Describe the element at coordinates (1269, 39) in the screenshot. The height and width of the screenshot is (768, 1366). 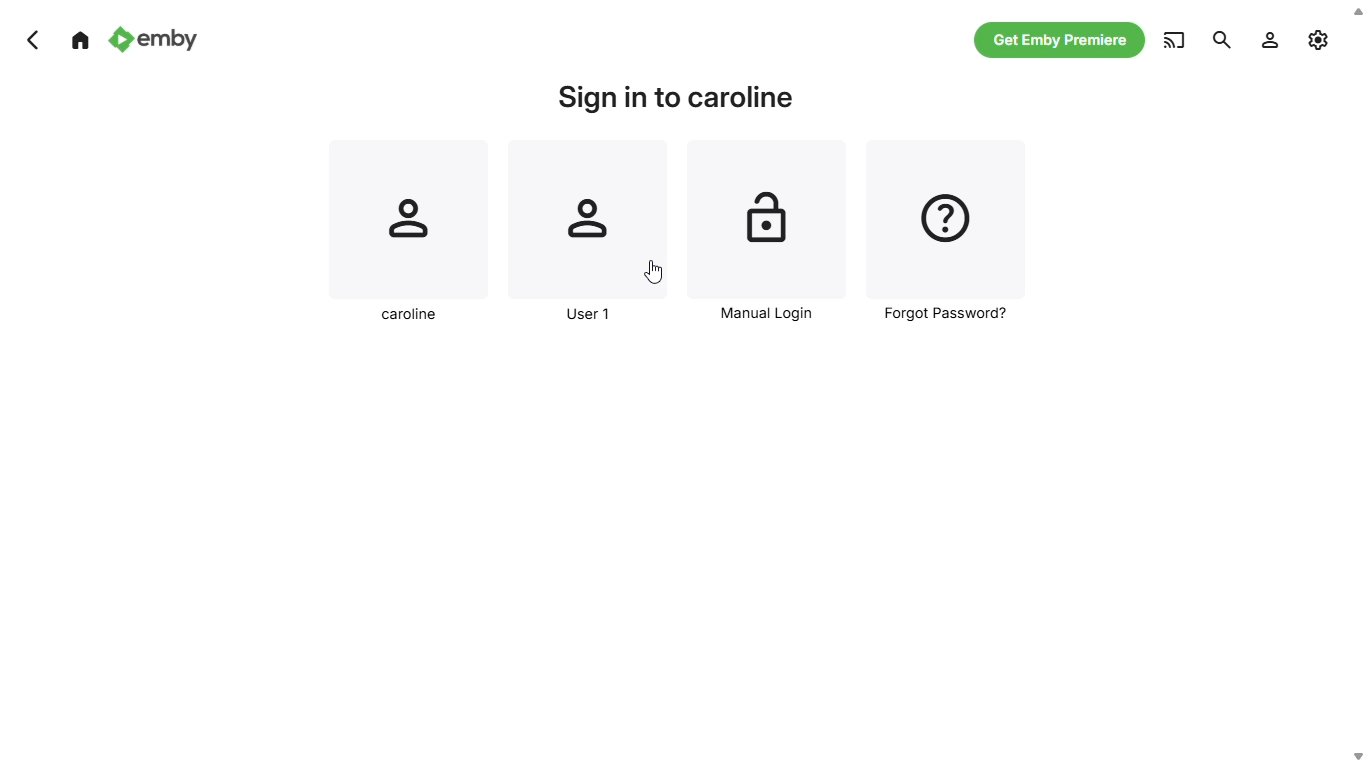
I see `settings` at that location.